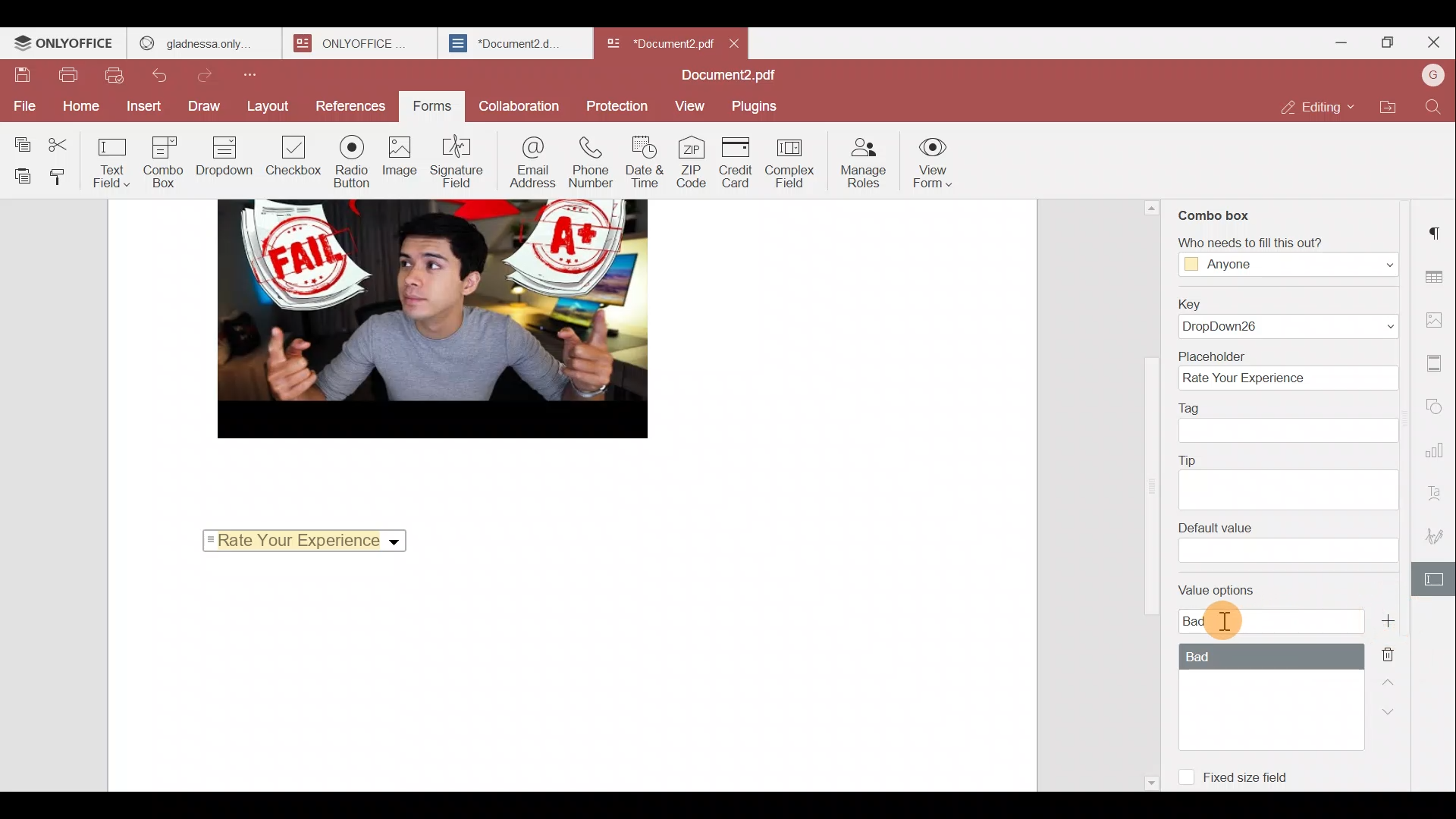 This screenshot has width=1456, height=819. What do you see at coordinates (1225, 623) in the screenshot?
I see `Cursor` at bounding box center [1225, 623].